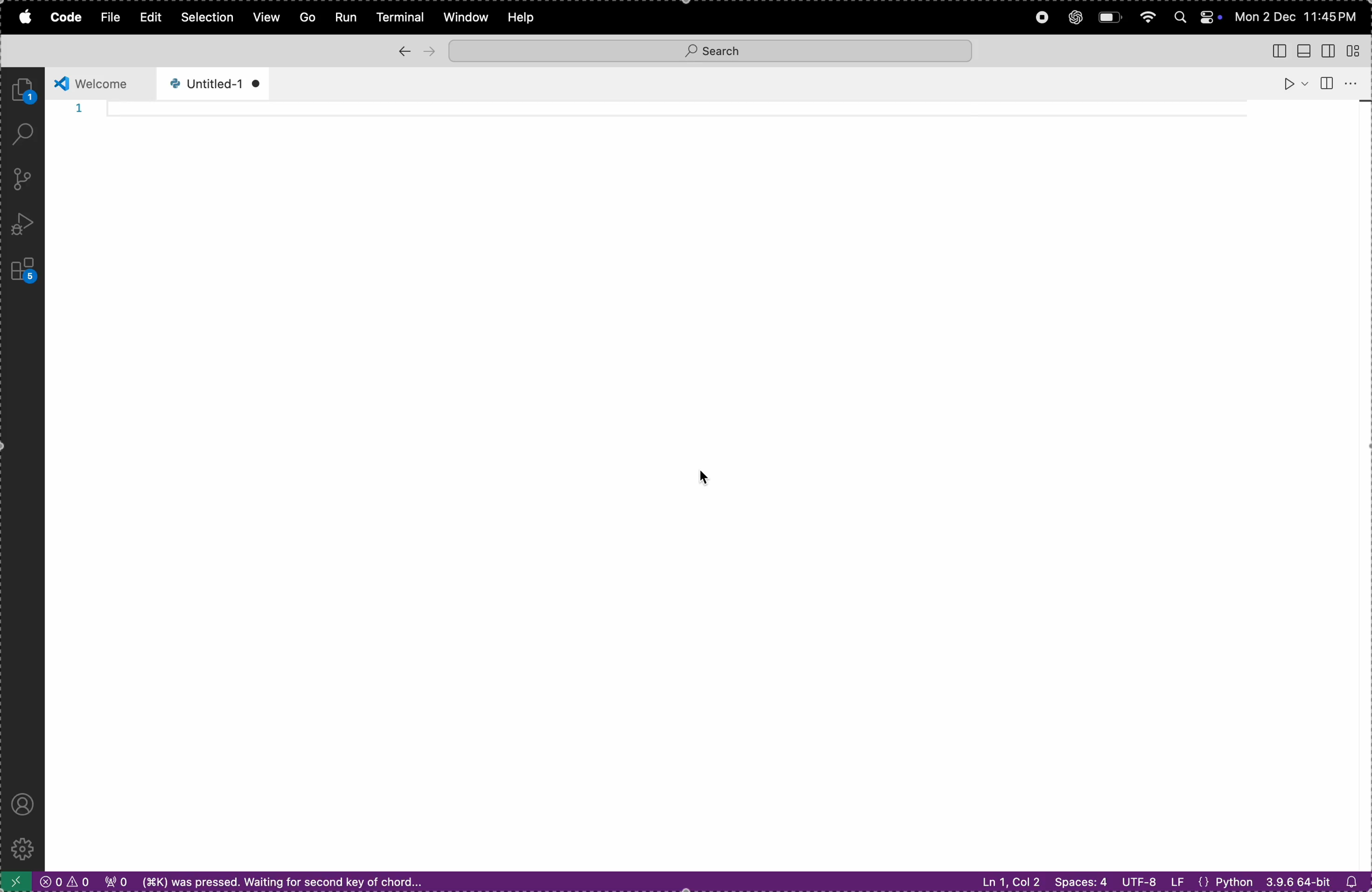 The image size is (1372, 892). I want to click on code line, so click(675, 108).